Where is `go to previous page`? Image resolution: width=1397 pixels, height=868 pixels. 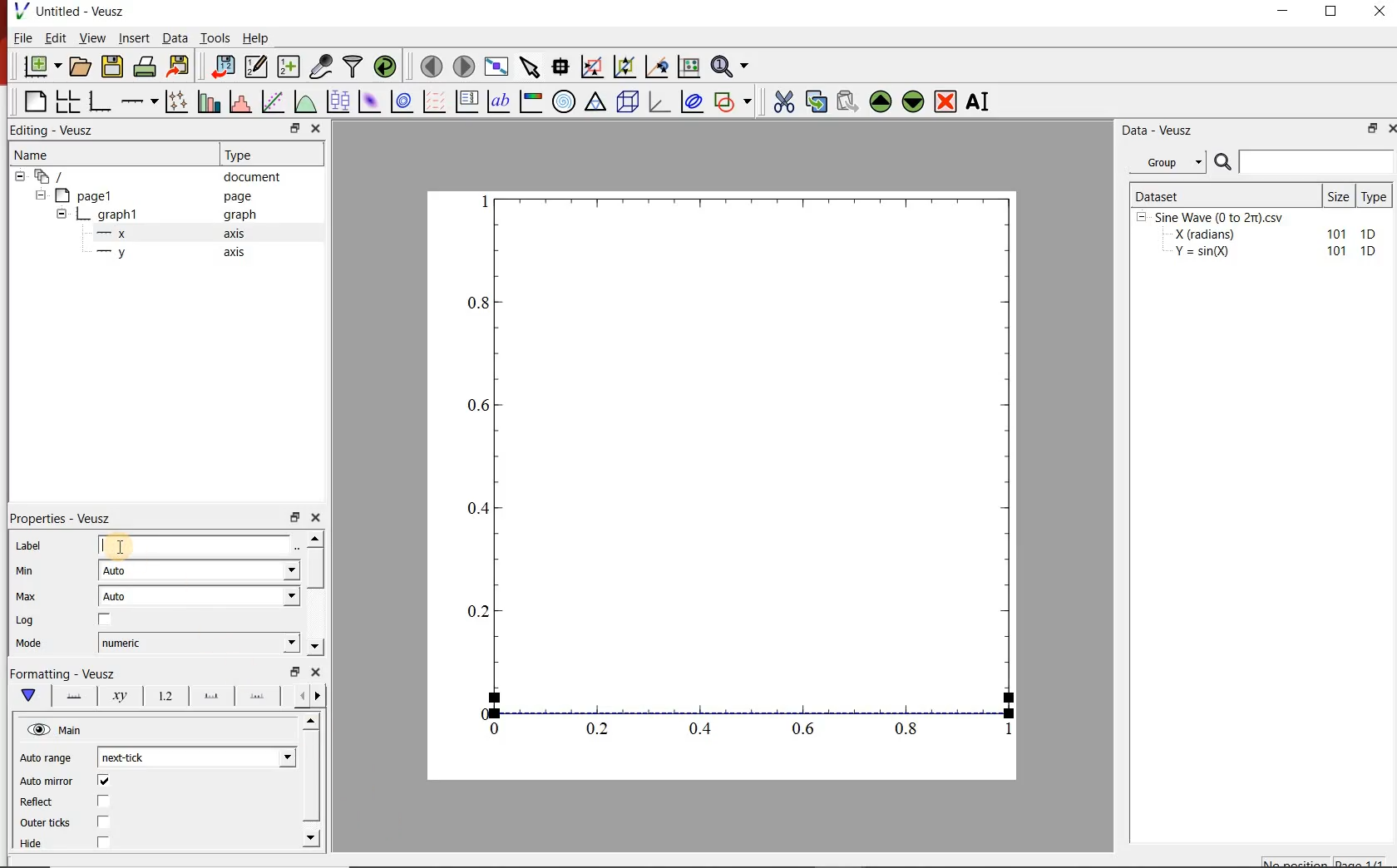
go to previous page is located at coordinates (431, 66).